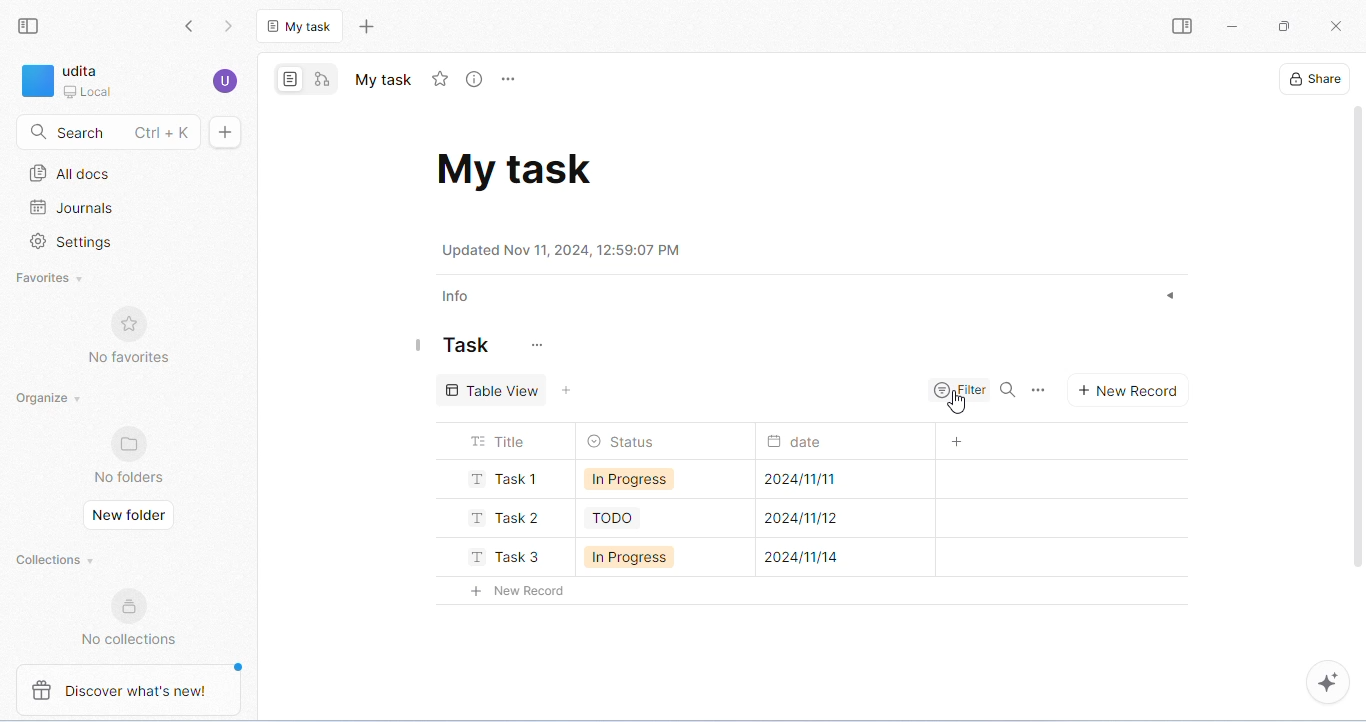 The width and height of the screenshot is (1366, 722). Describe the element at coordinates (73, 209) in the screenshot. I see `journals` at that location.